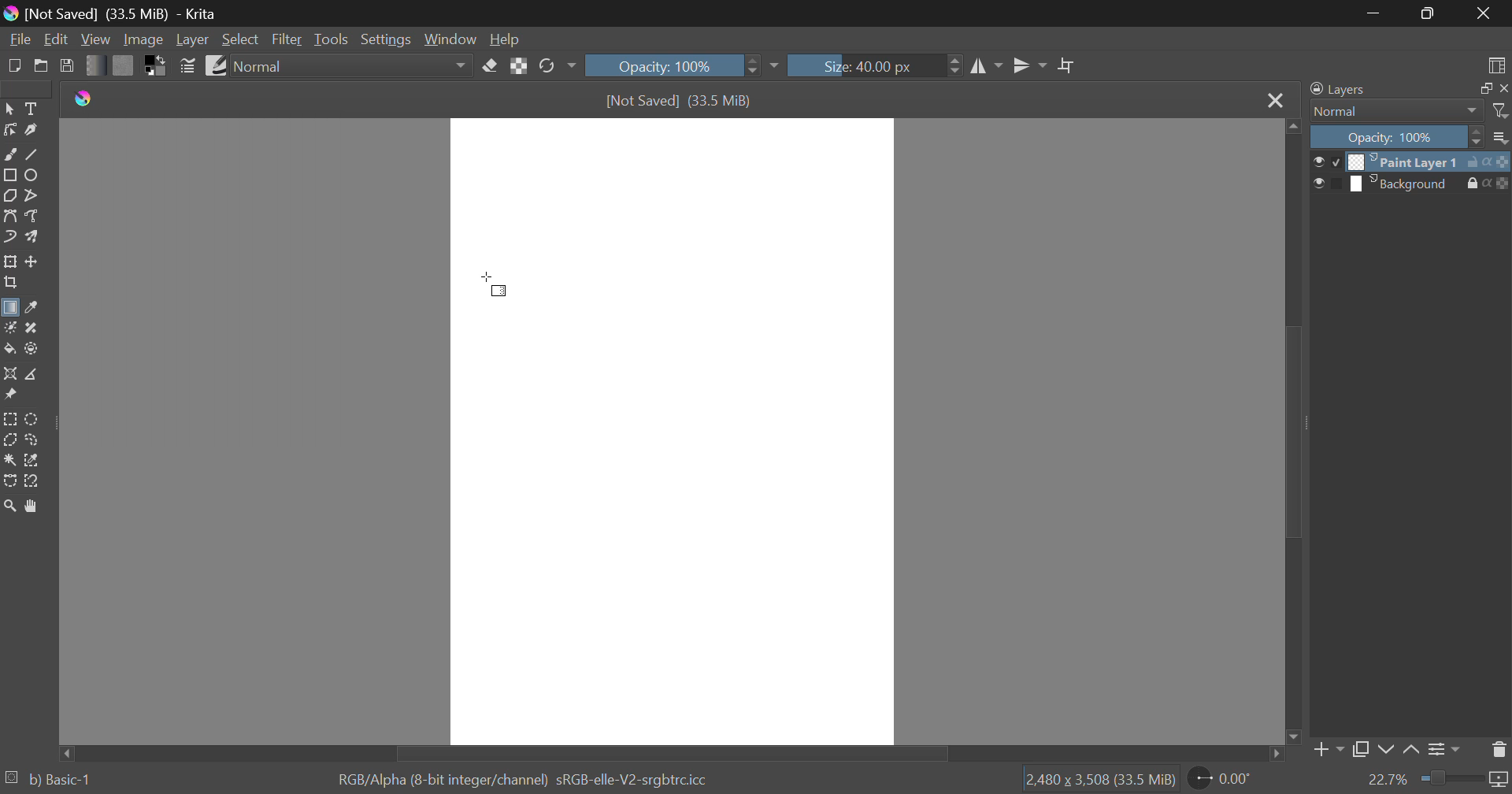  I want to click on Line, so click(32, 153).